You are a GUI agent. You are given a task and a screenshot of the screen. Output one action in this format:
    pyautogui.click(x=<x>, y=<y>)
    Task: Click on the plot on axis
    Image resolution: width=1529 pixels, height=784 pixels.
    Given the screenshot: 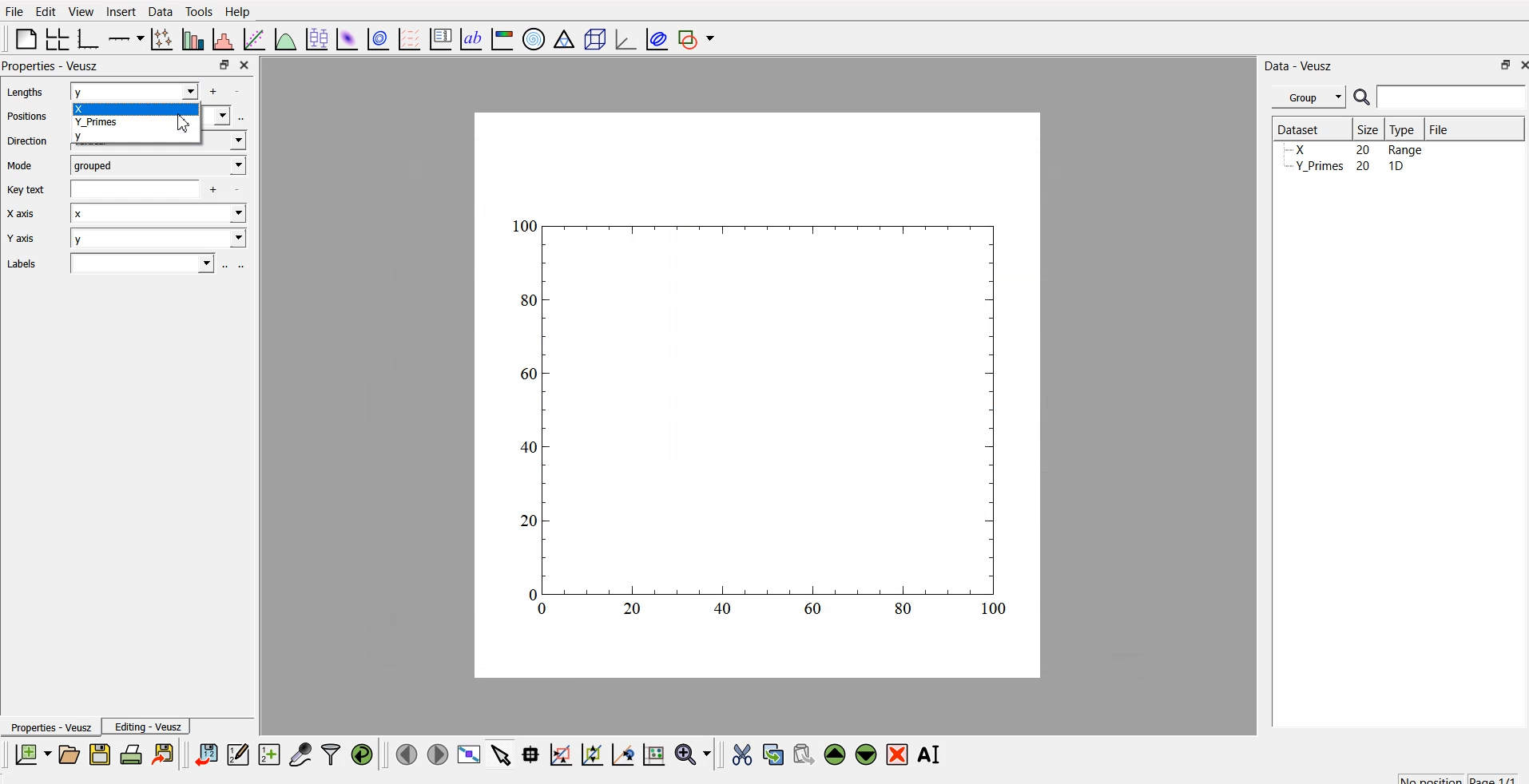 What is the action you would take?
    pyautogui.click(x=124, y=37)
    